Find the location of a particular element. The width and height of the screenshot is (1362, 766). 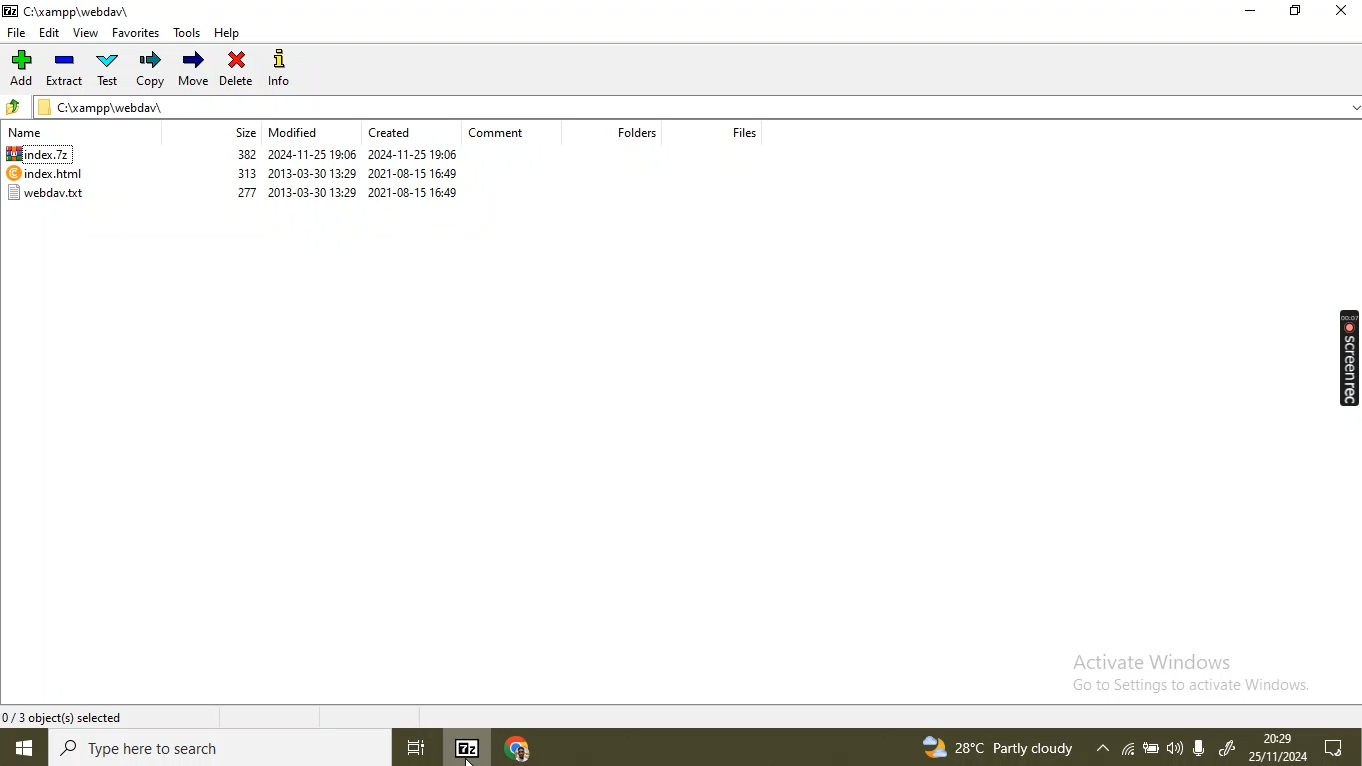

move is located at coordinates (192, 68).